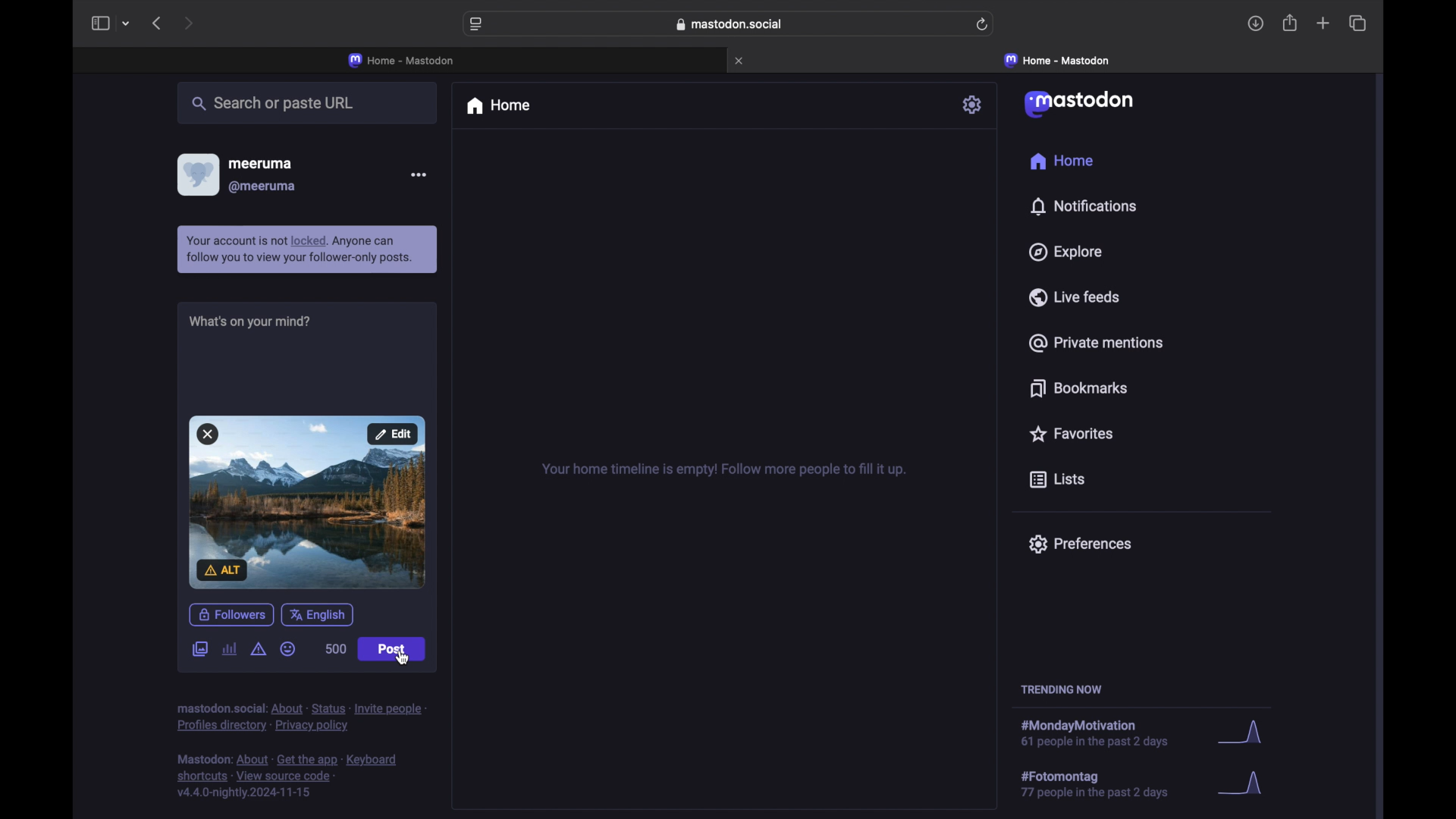 The height and width of the screenshot is (819, 1456). What do you see at coordinates (278, 105) in the screenshot?
I see `search or paste url` at bounding box center [278, 105].